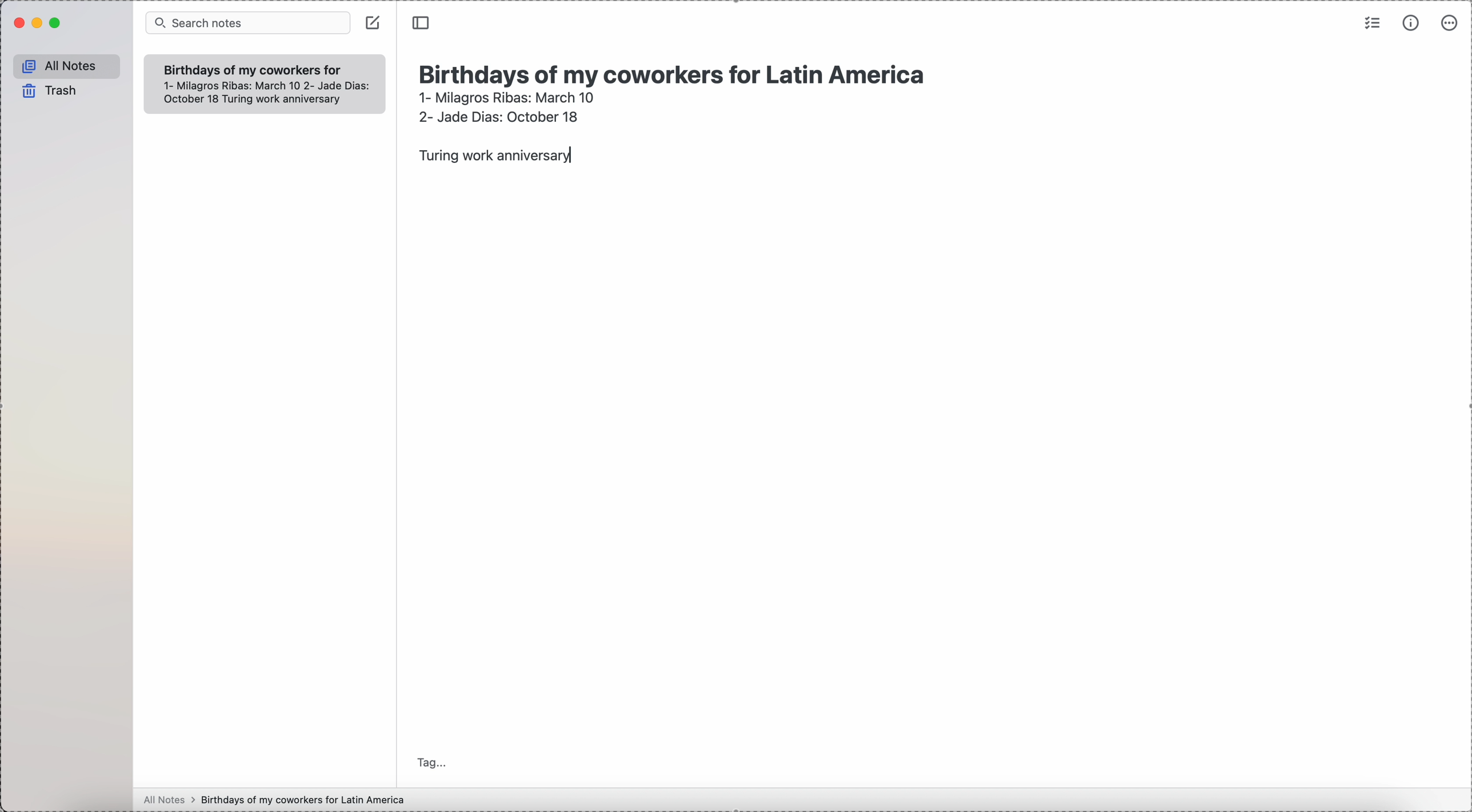 This screenshot has width=1472, height=812. Describe the element at coordinates (277, 799) in the screenshot. I see `all notes > birthdays of my coworkers for Latin America` at that location.